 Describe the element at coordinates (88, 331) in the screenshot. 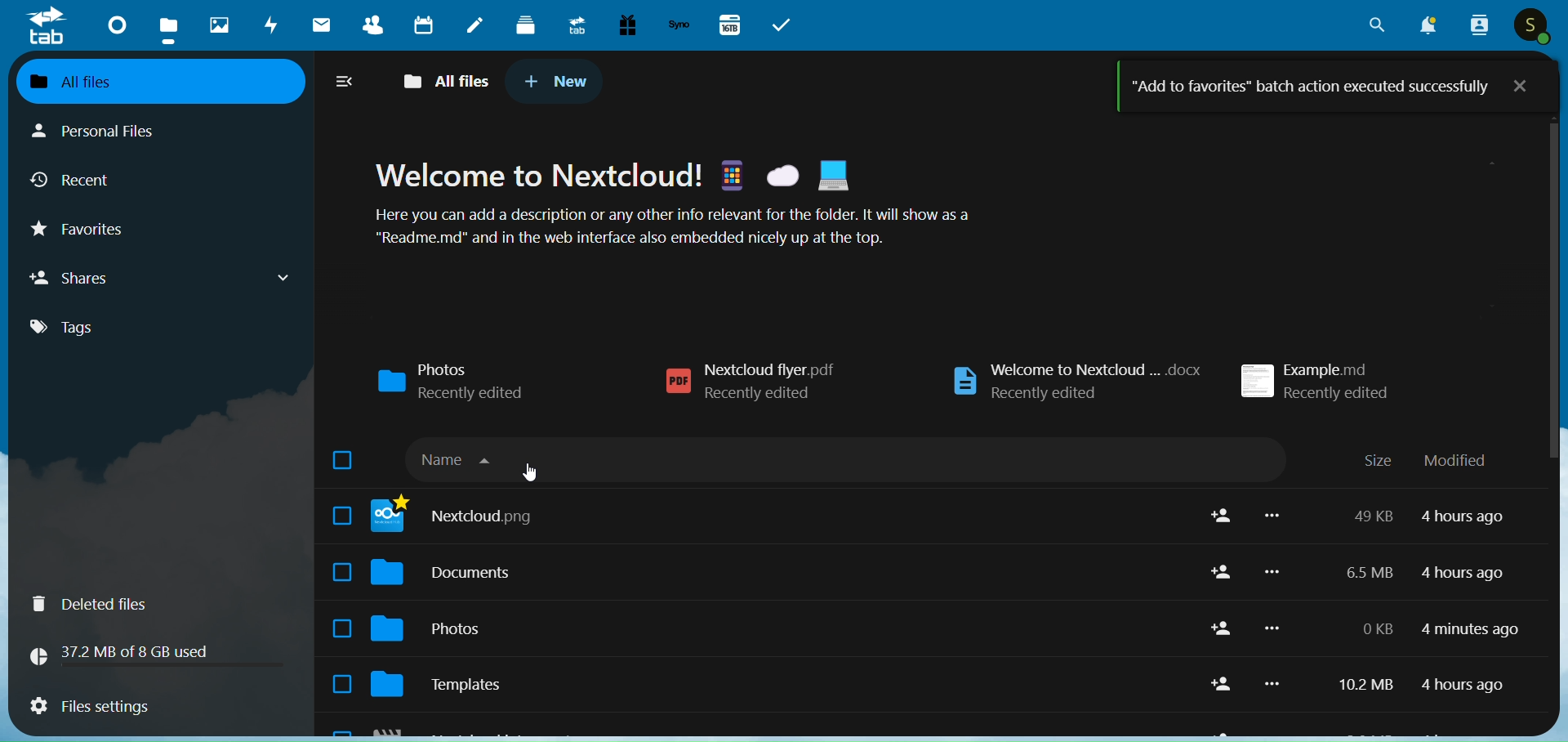

I see `tags` at that location.